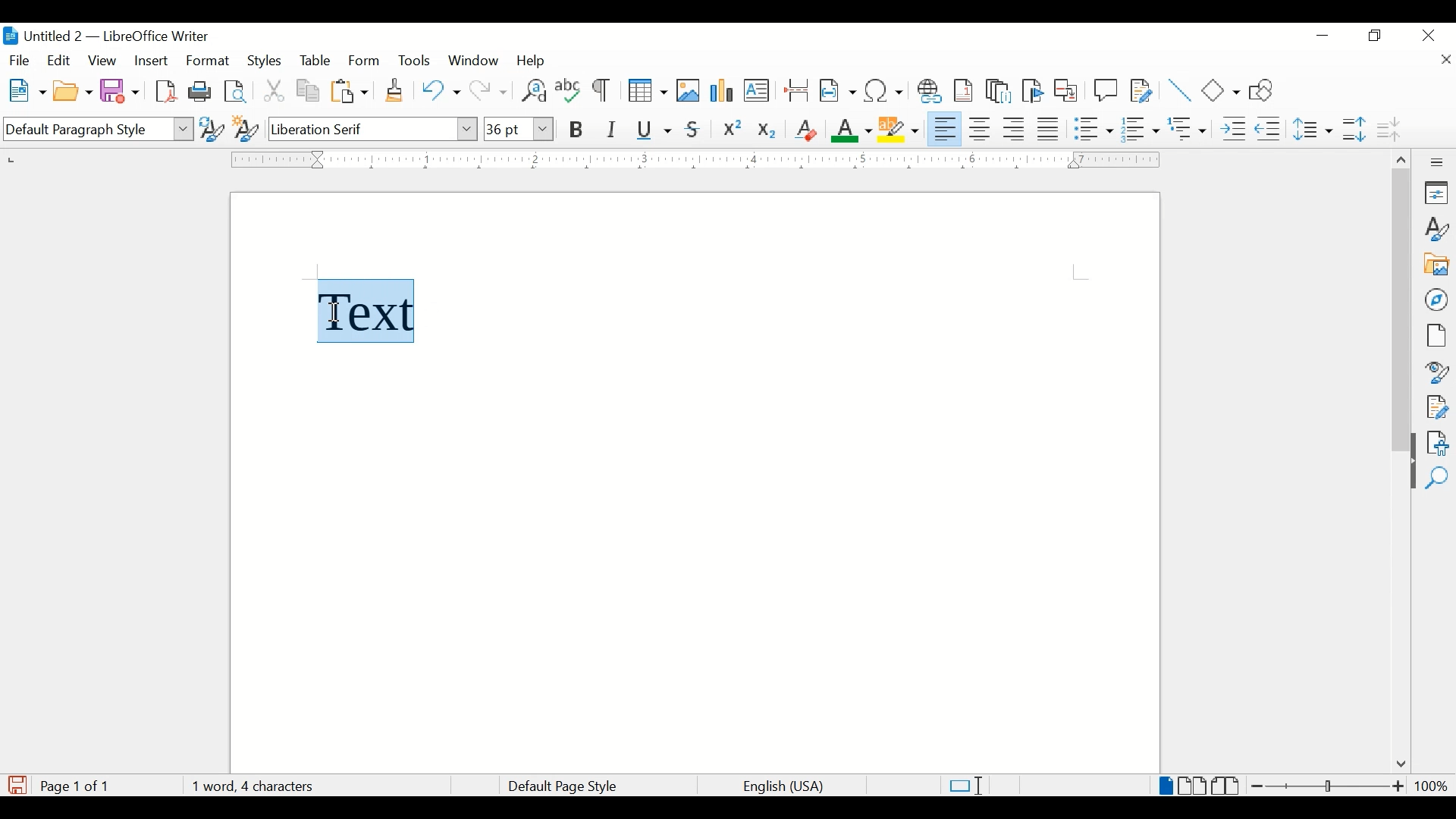 The height and width of the screenshot is (819, 1456). What do you see at coordinates (1140, 128) in the screenshot?
I see `toggle ordered list` at bounding box center [1140, 128].